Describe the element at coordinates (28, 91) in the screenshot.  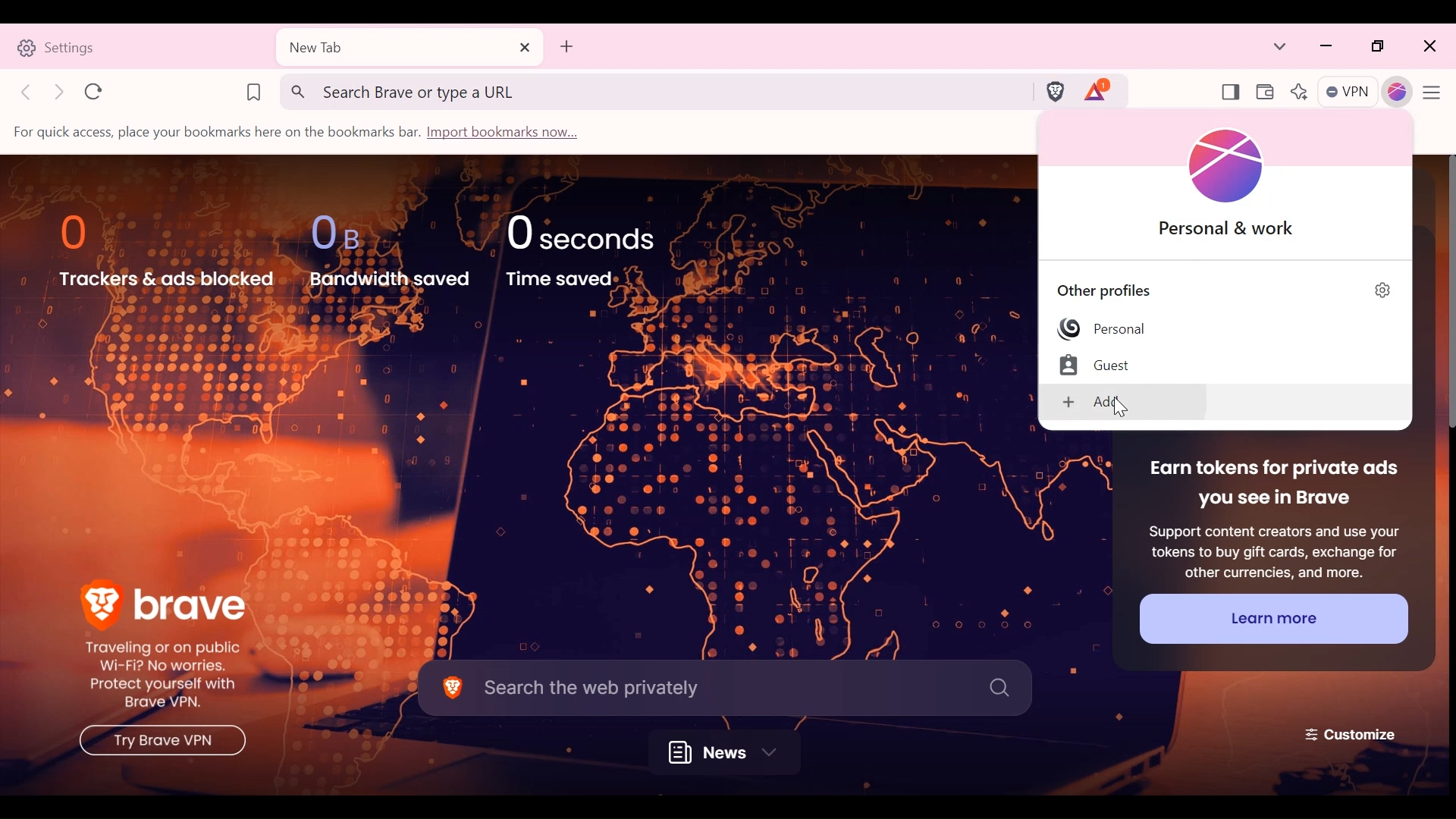
I see `Click to go Back ` at that location.